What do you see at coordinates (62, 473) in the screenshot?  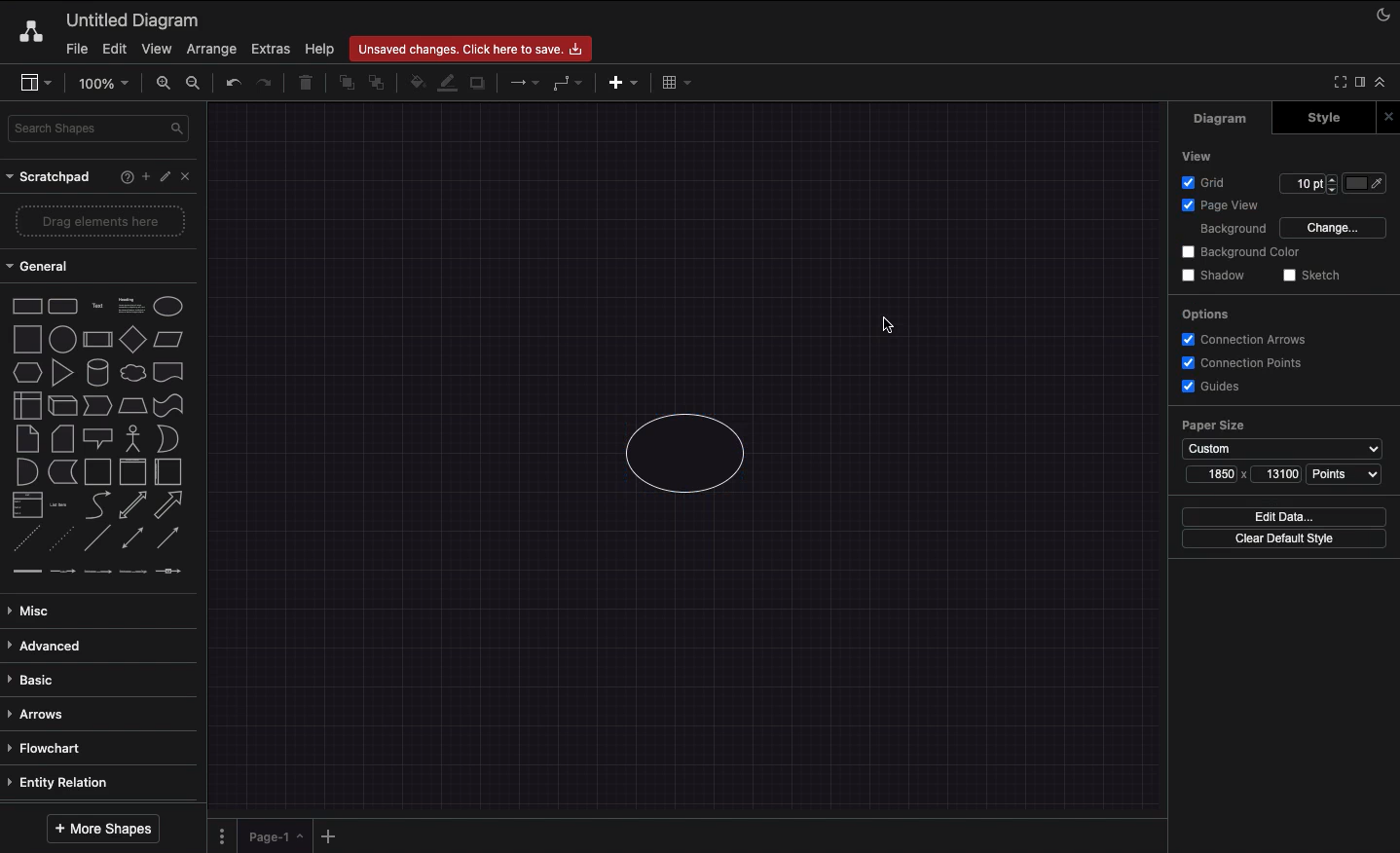 I see `Data storage` at bounding box center [62, 473].